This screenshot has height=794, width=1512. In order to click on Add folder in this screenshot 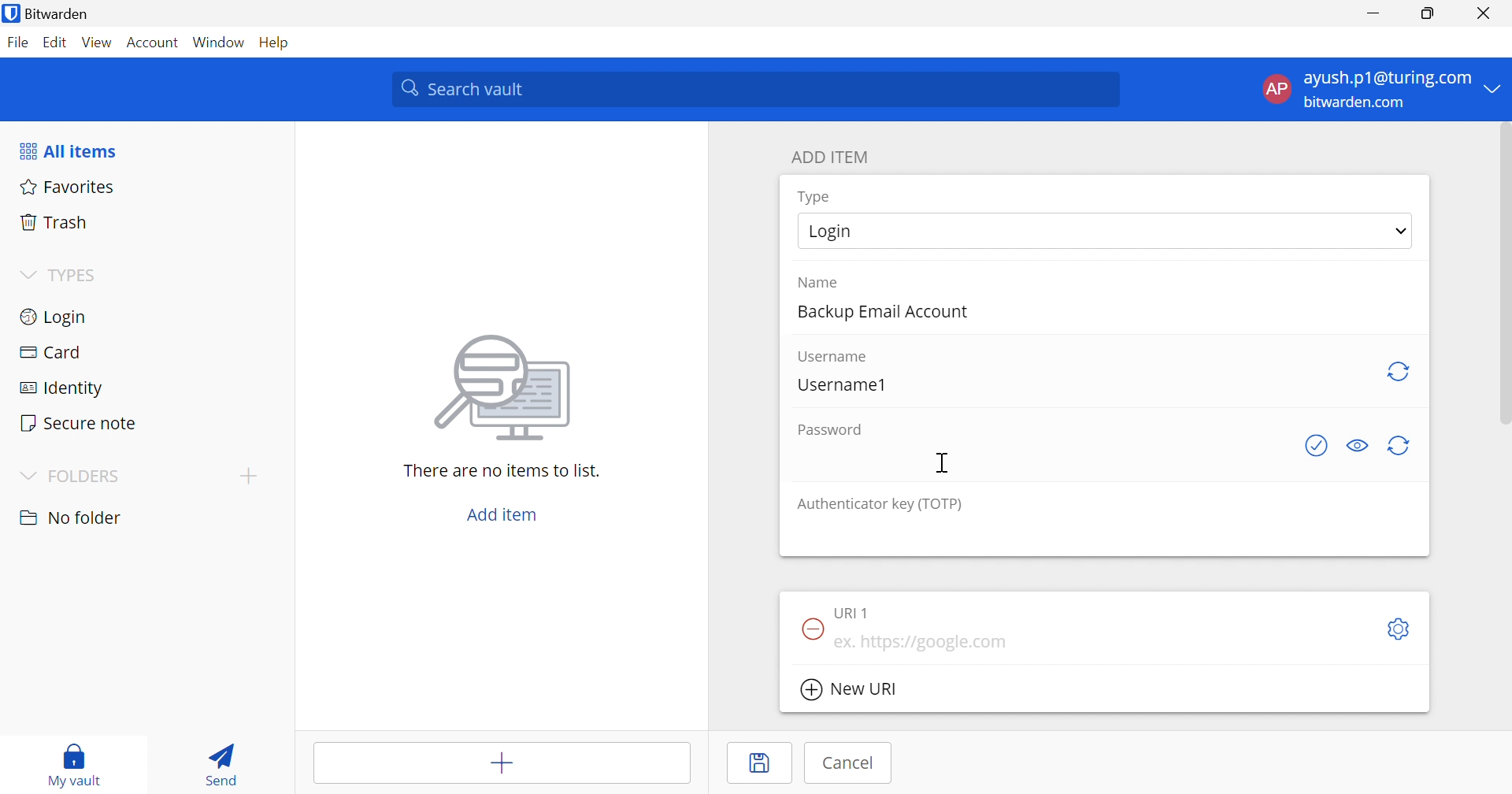, I will do `click(249, 477)`.